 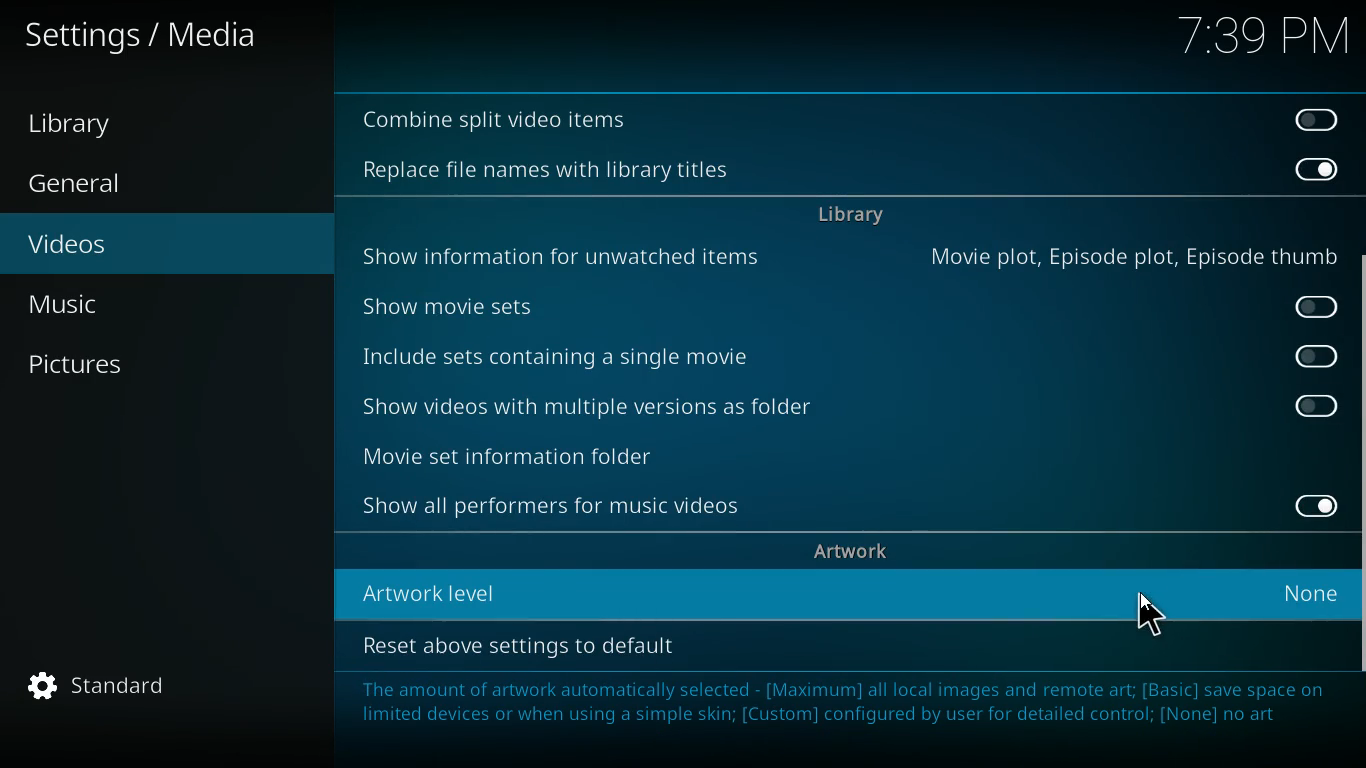 I want to click on off, so click(x=1320, y=306).